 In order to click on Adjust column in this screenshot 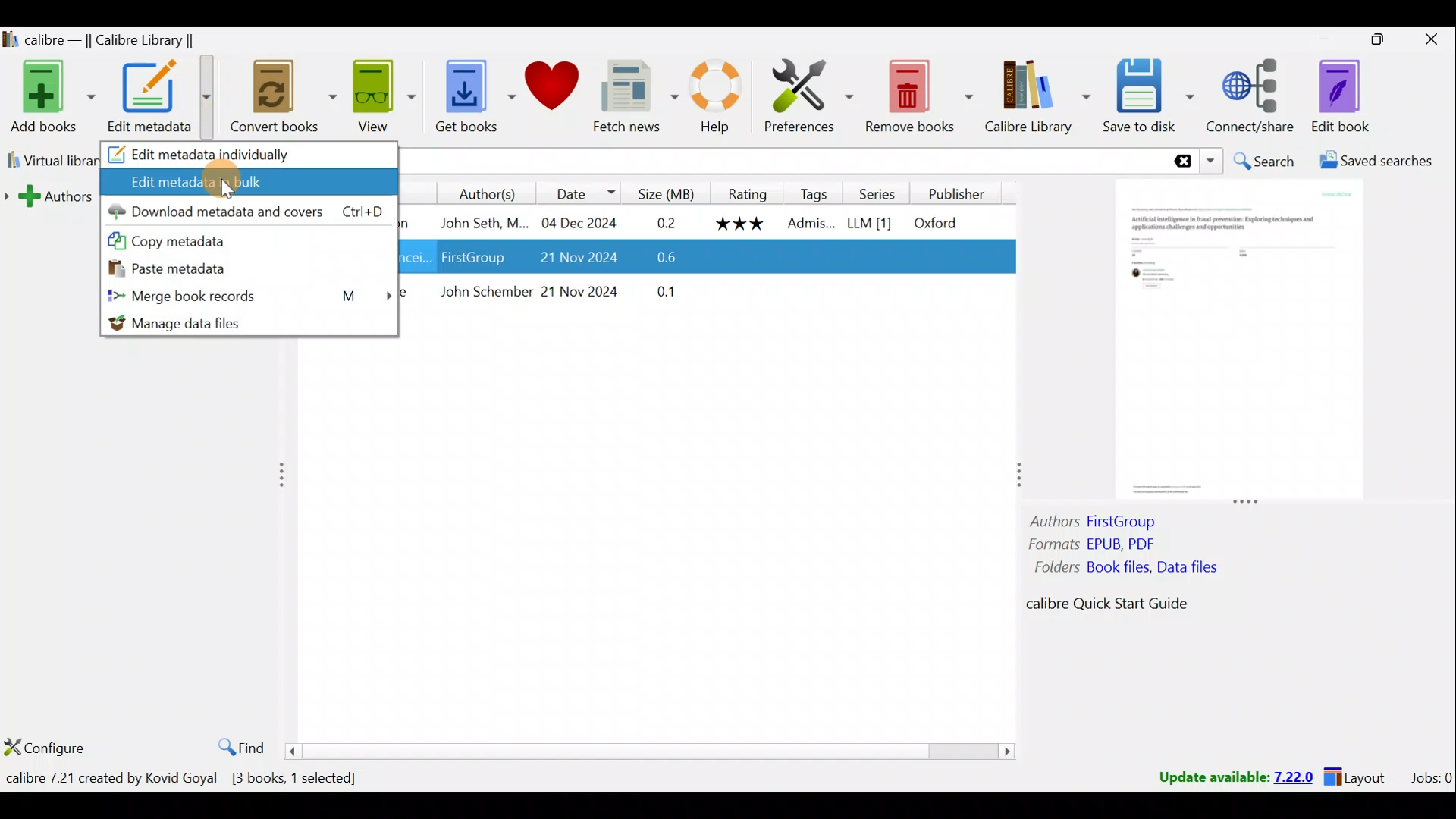, I will do `click(1011, 473)`.